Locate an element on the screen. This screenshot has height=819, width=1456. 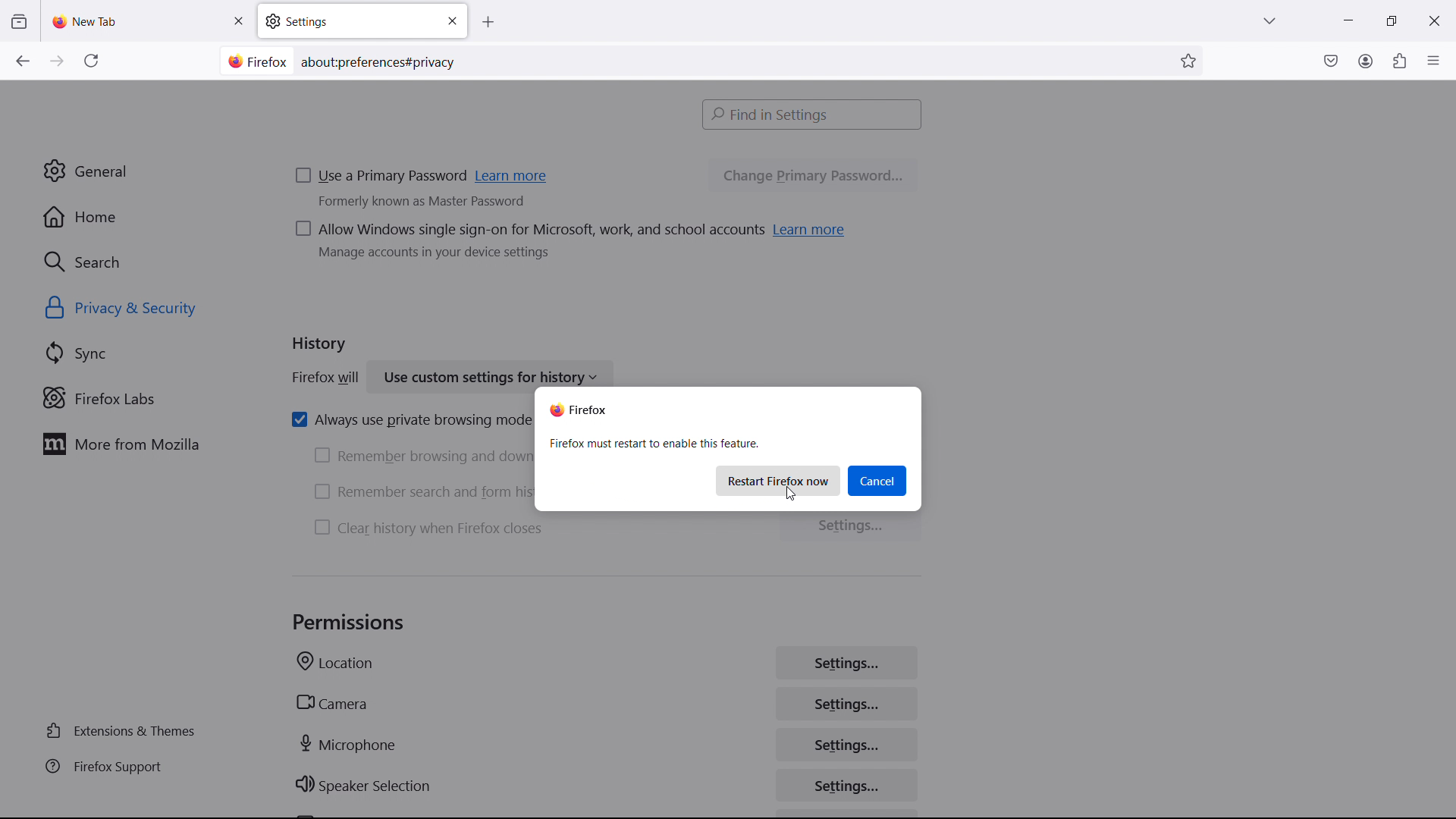
change primary password is located at coordinates (812, 177).